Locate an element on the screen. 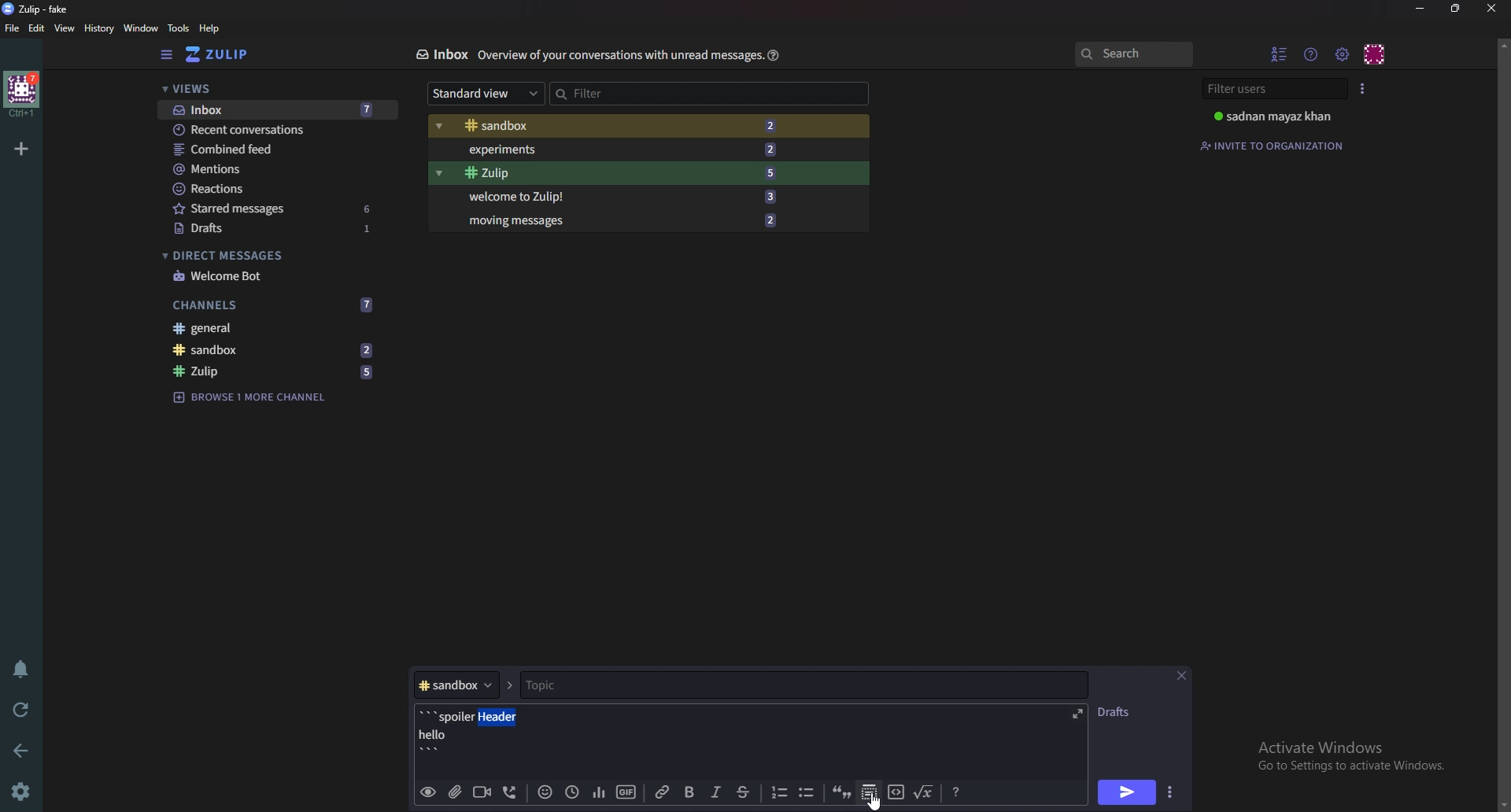  Combined feed is located at coordinates (275, 149).